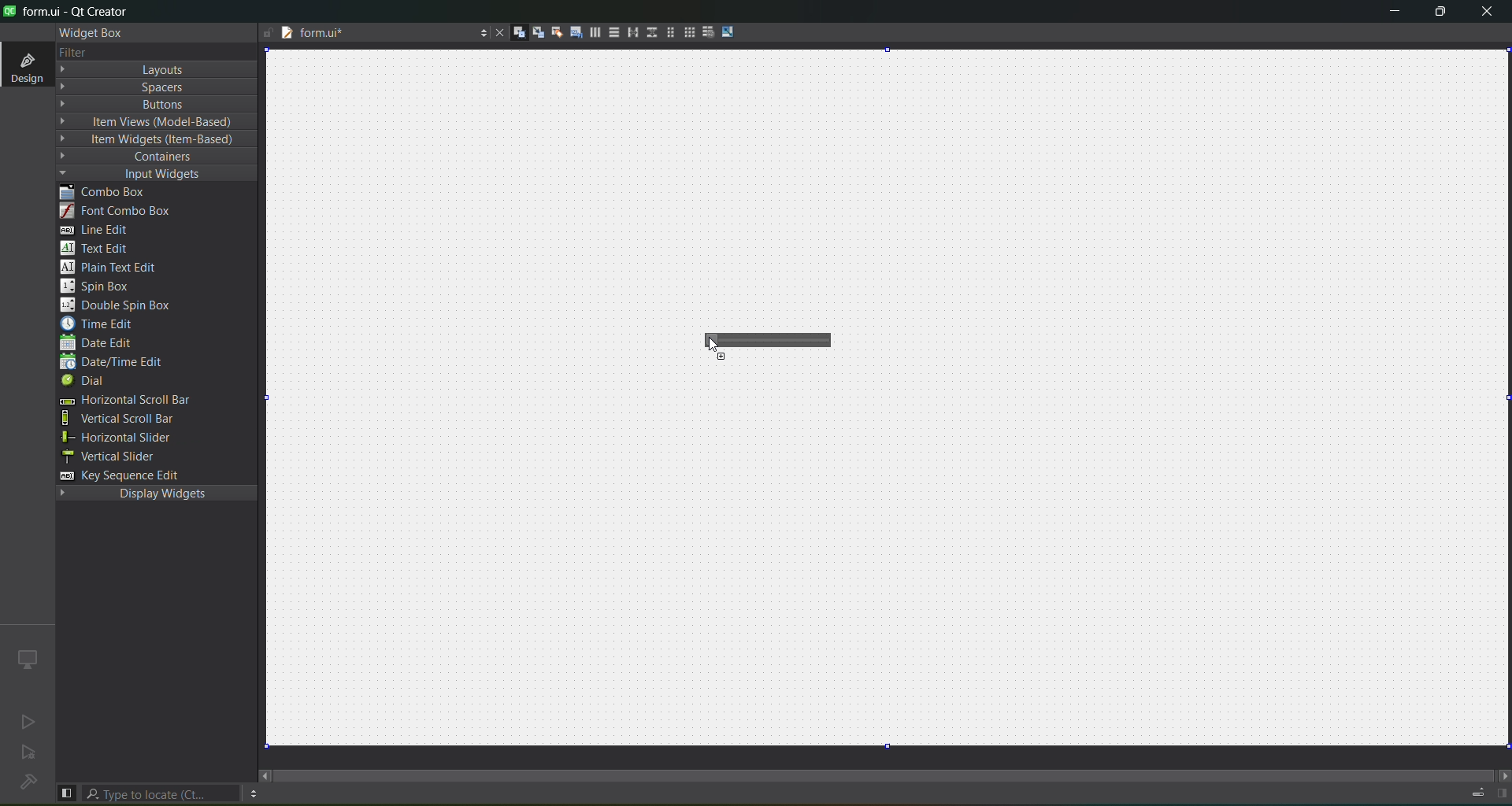  Describe the element at coordinates (23, 65) in the screenshot. I see `design` at that location.